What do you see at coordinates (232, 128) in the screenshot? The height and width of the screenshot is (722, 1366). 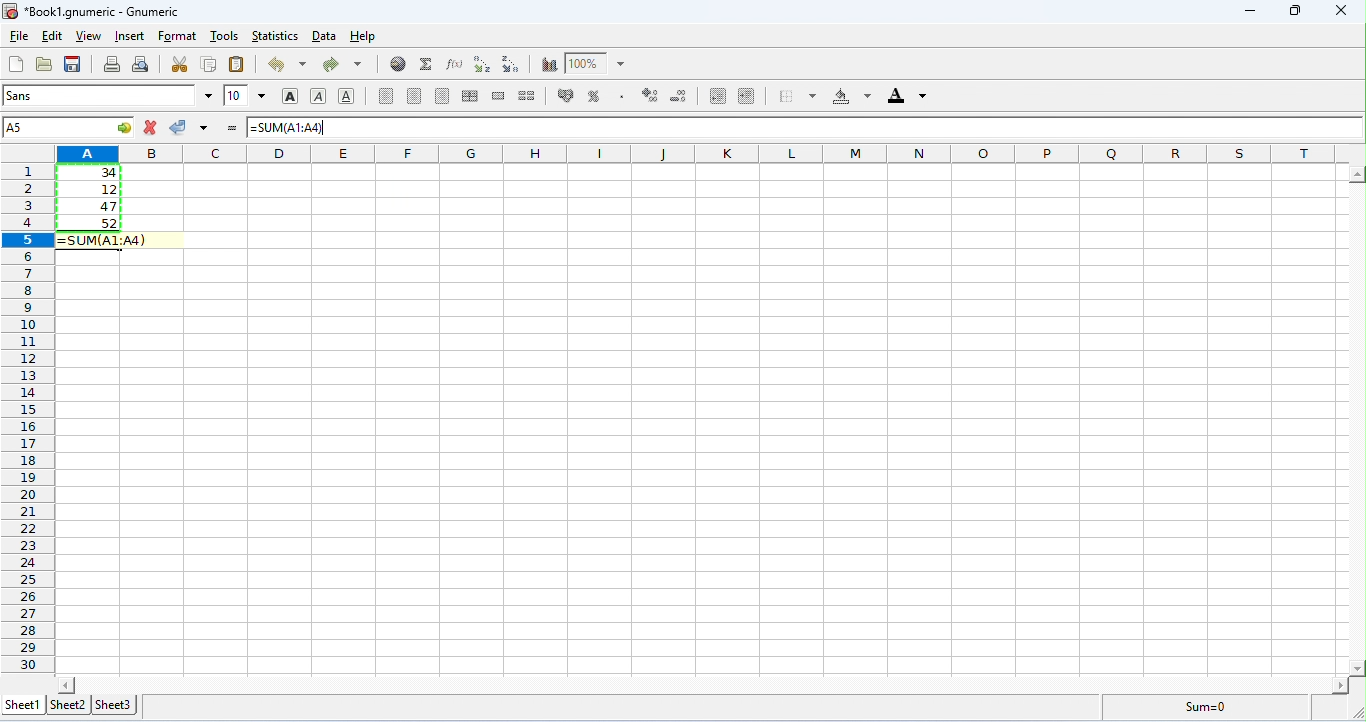 I see `=` at bounding box center [232, 128].